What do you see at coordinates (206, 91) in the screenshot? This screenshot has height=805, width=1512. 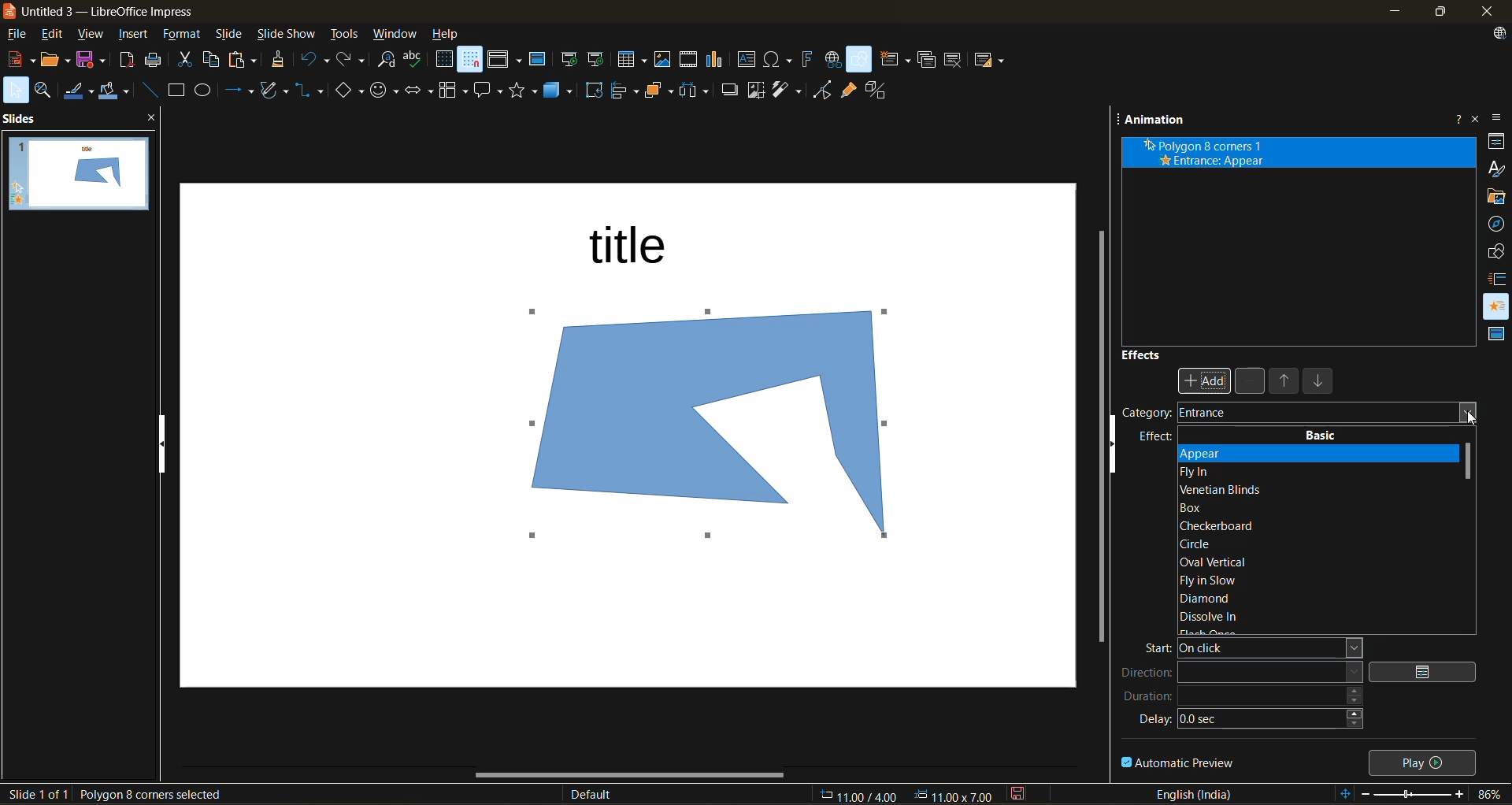 I see `ellipse` at bounding box center [206, 91].